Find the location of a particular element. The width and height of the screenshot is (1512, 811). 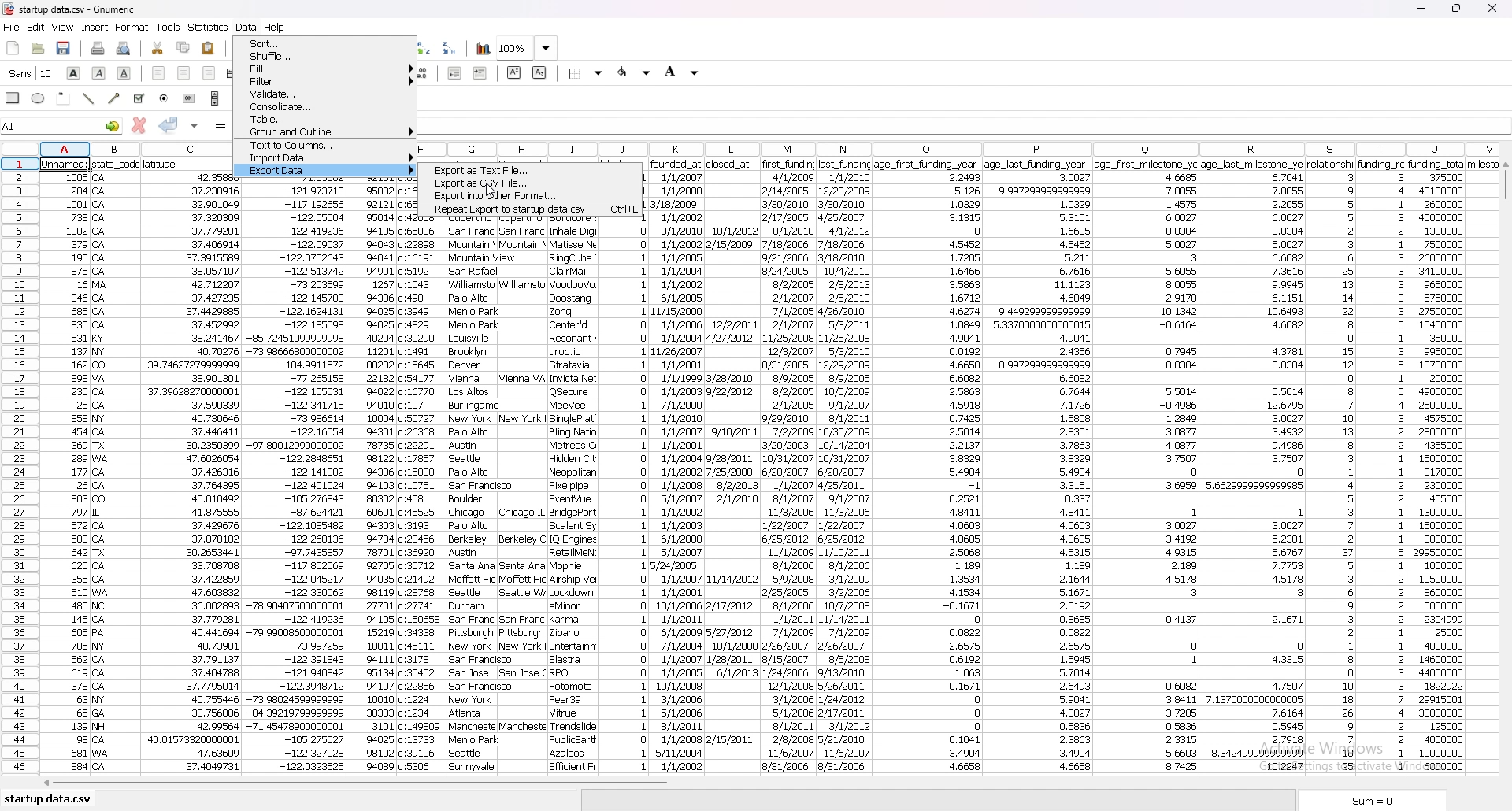

Data is located at coordinates (245, 25).